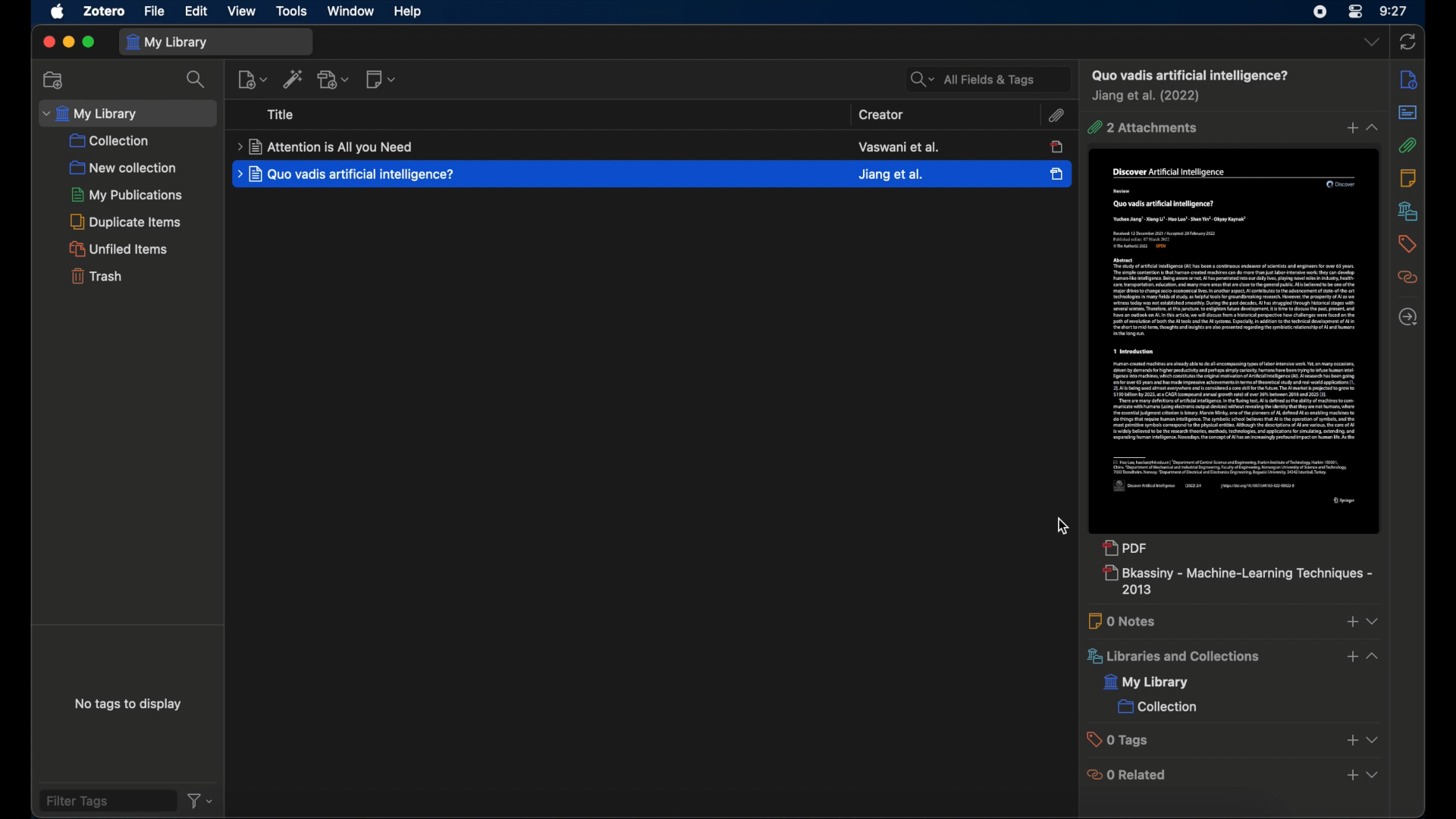  I want to click on control center, so click(1356, 13).